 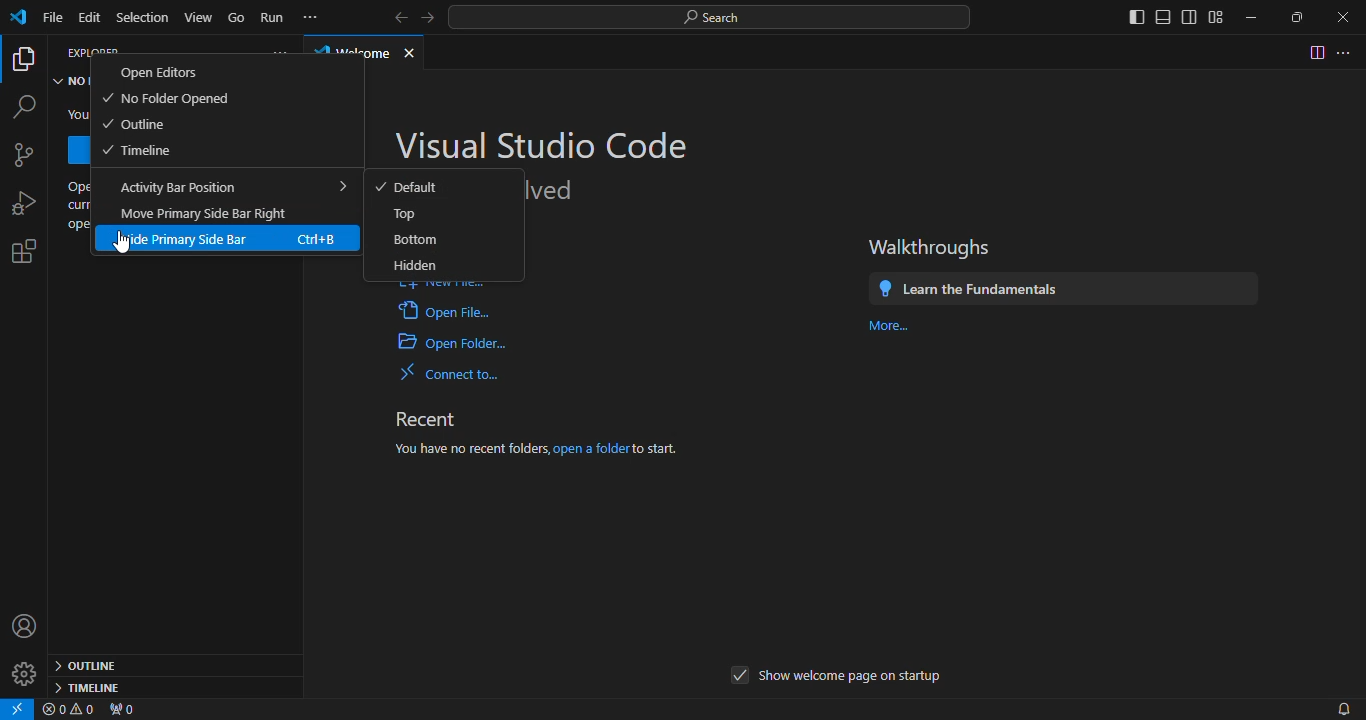 What do you see at coordinates (89, 51) in the screenshot?
I see `Explorer` at bounding box center [89, 51].